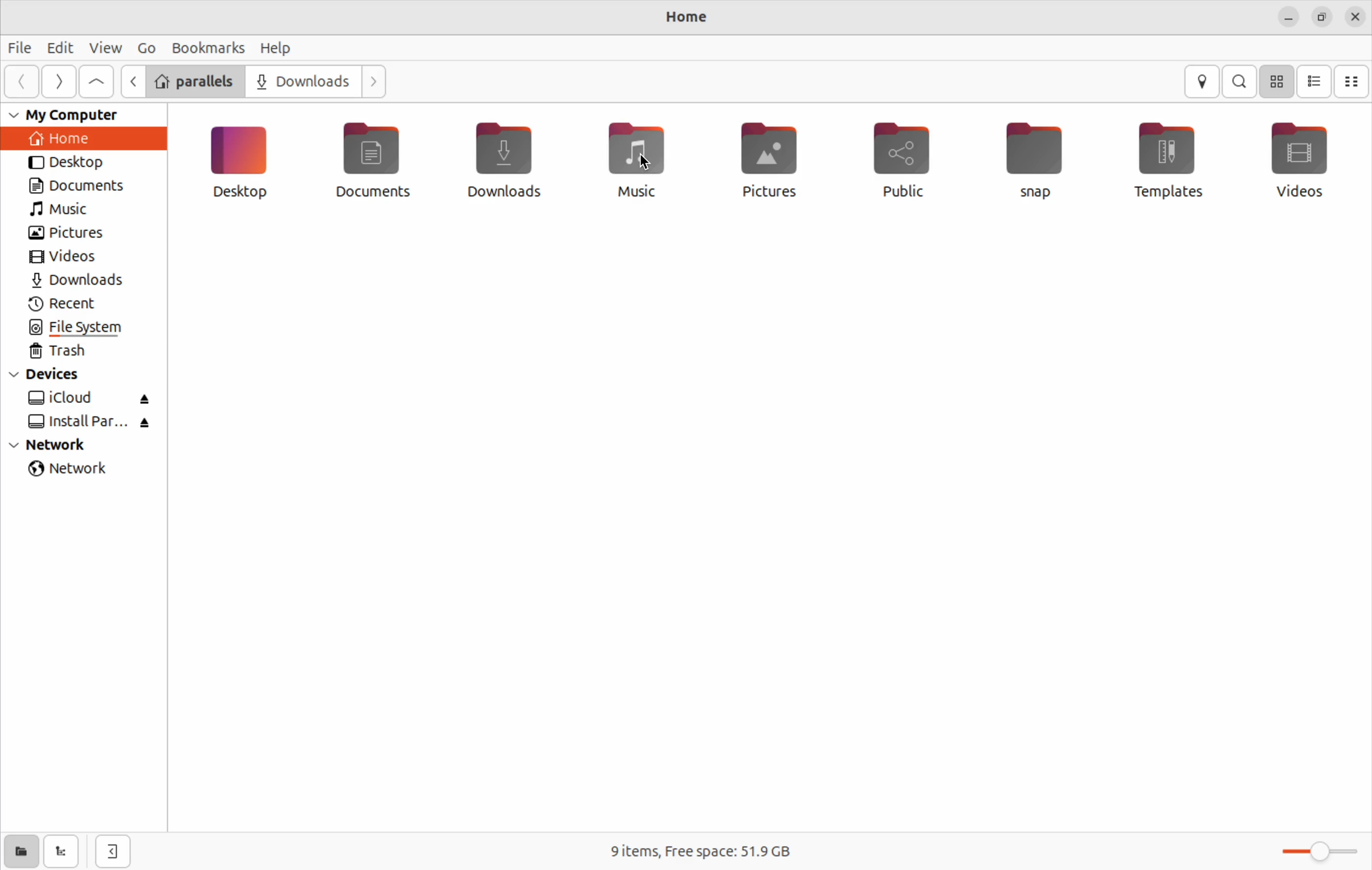 Image resolution: width=1372 pixels, height=870 pixels. I want to click on Desktop, so click(242, 169).